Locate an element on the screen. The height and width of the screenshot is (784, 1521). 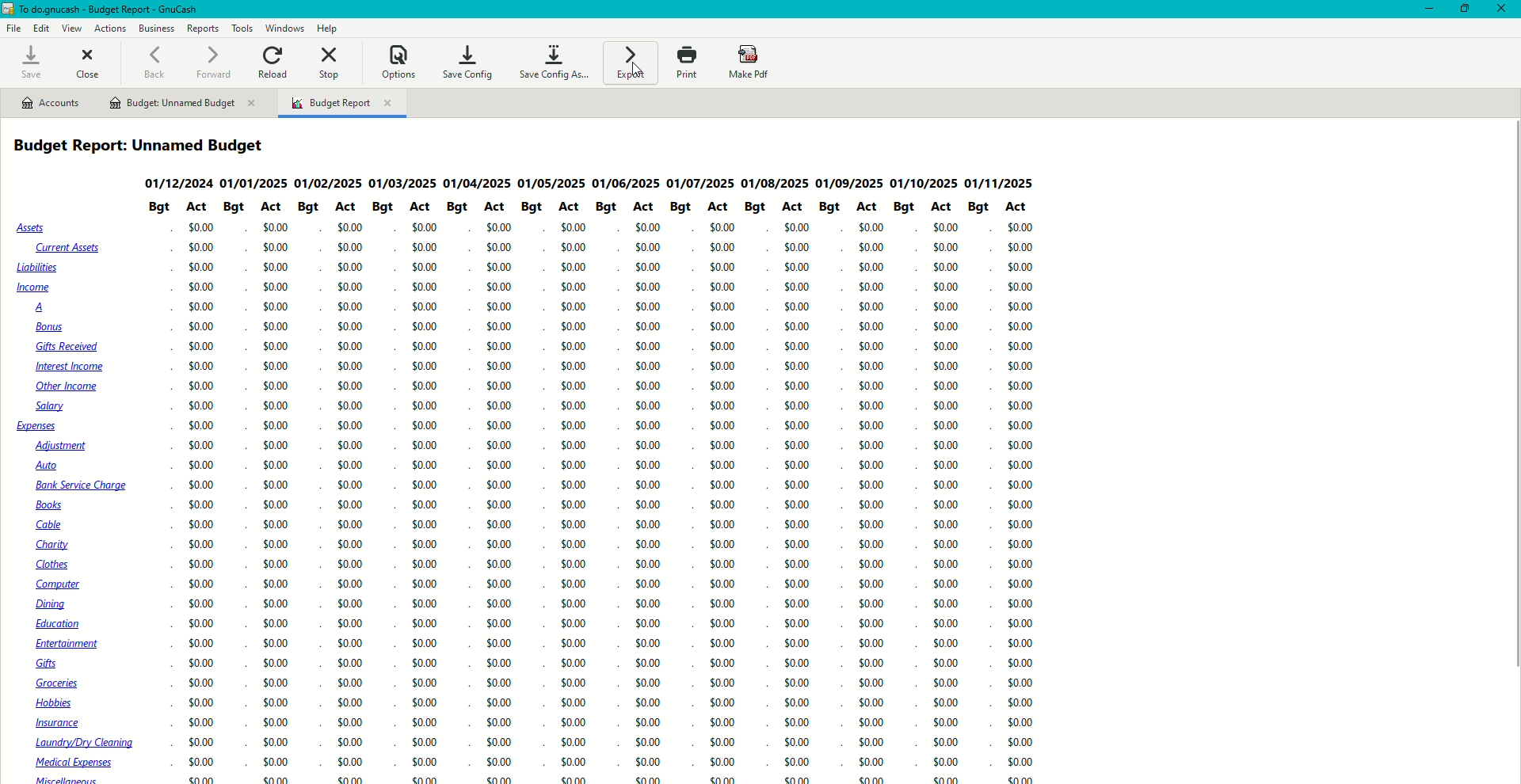
$0.00 is located at coordinates (500, 444).